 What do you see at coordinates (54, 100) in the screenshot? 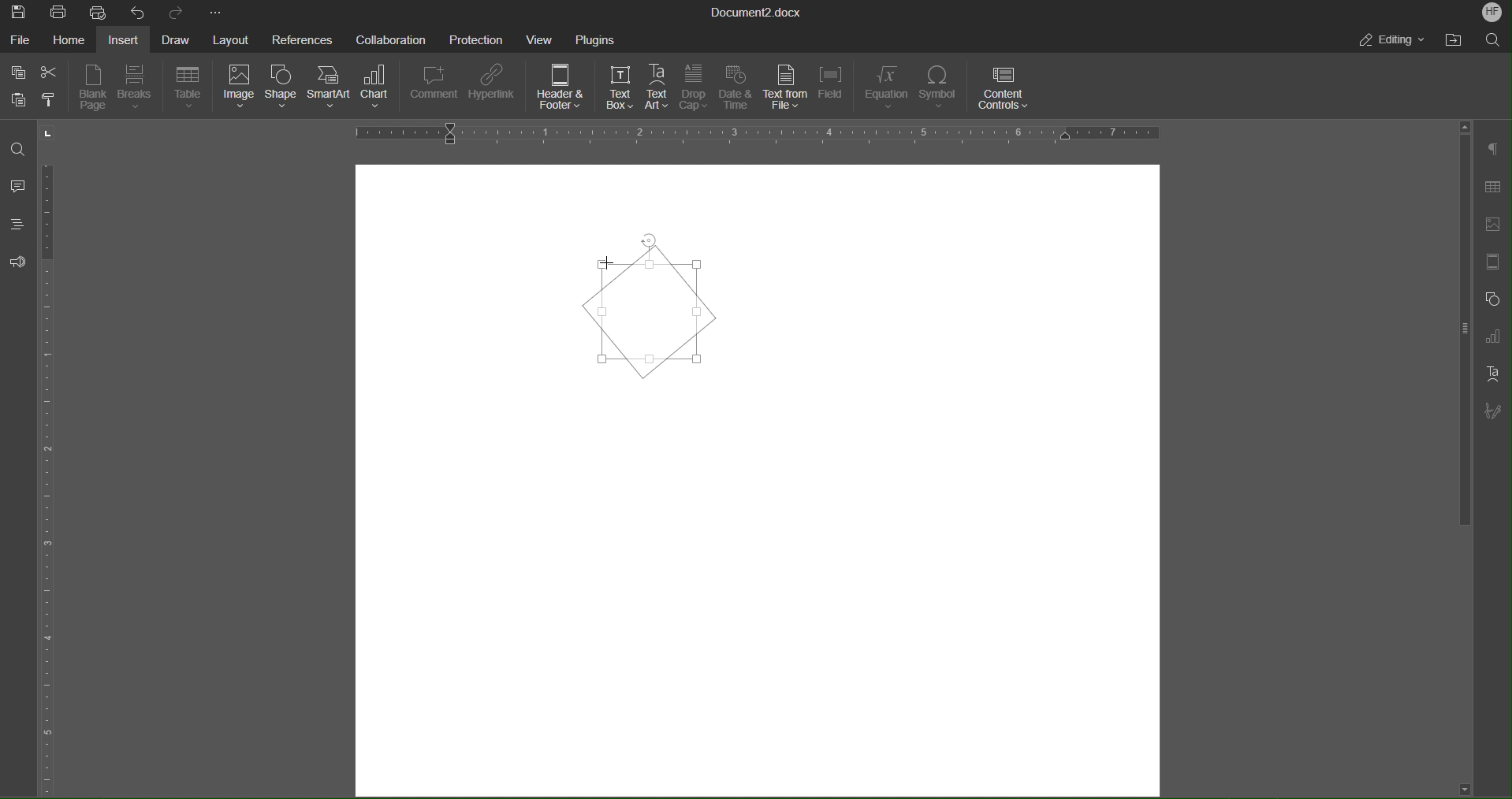
I see `Copy Style` at bounding box center [54, 100].